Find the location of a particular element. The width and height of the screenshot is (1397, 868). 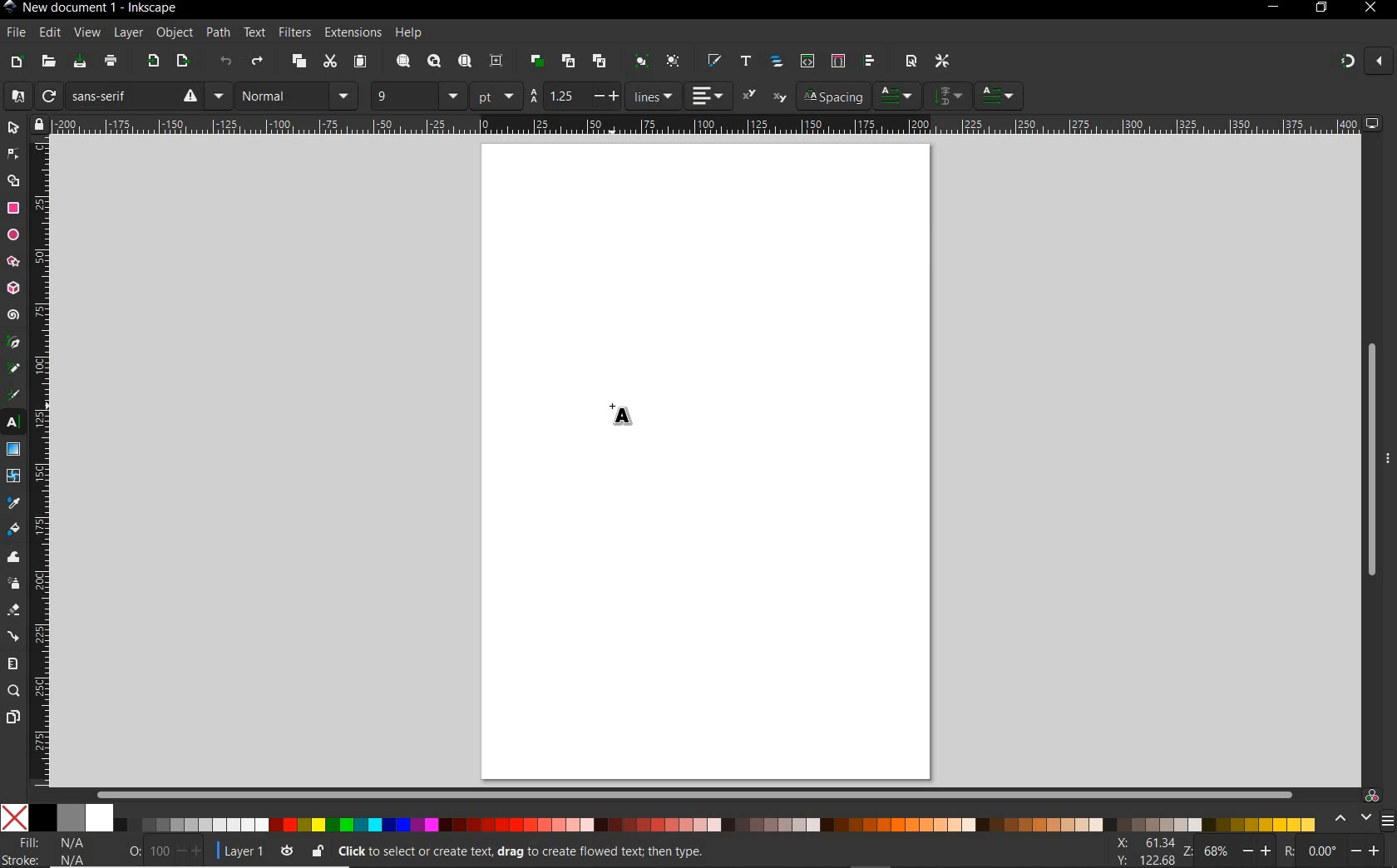

cut is located at coordinates (329, 62).